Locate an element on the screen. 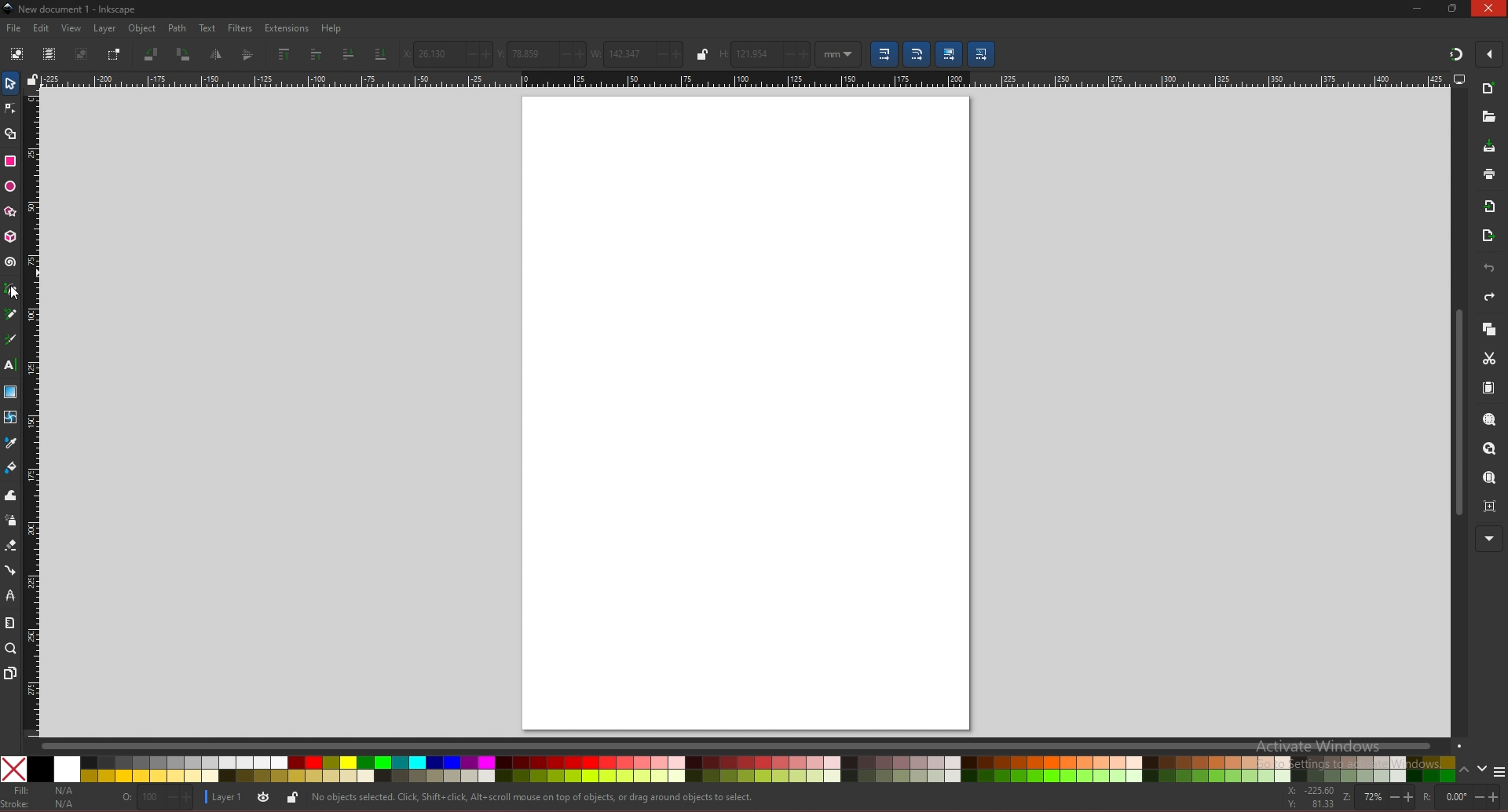 The height and width of the screenshot is (812, 1508). lower selection to bottom is located at coordinates (380, 54).